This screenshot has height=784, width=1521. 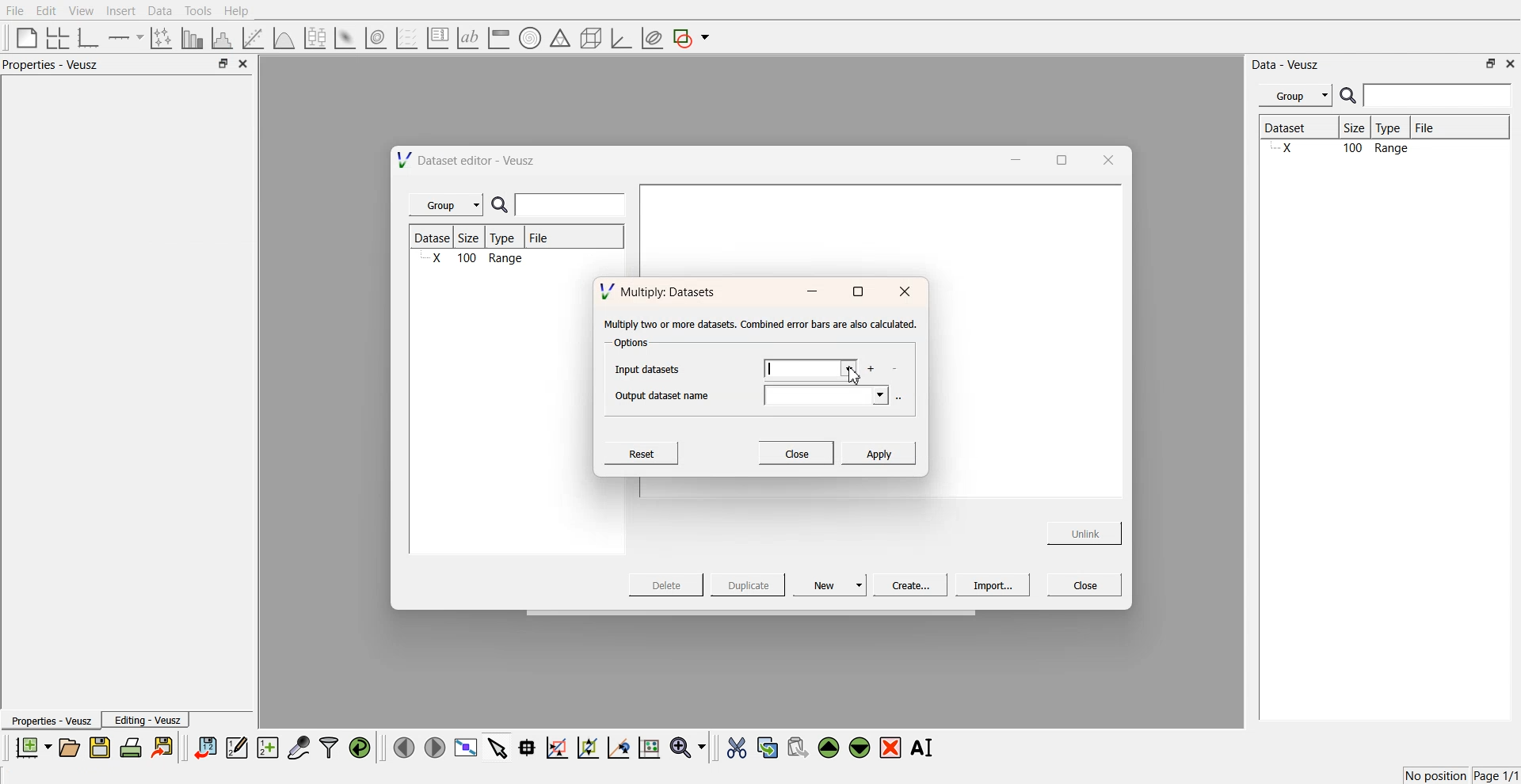 What do you see at coordinates (159, 11) in the screenshot?
I see `Data` at bounding box center [159, 11].